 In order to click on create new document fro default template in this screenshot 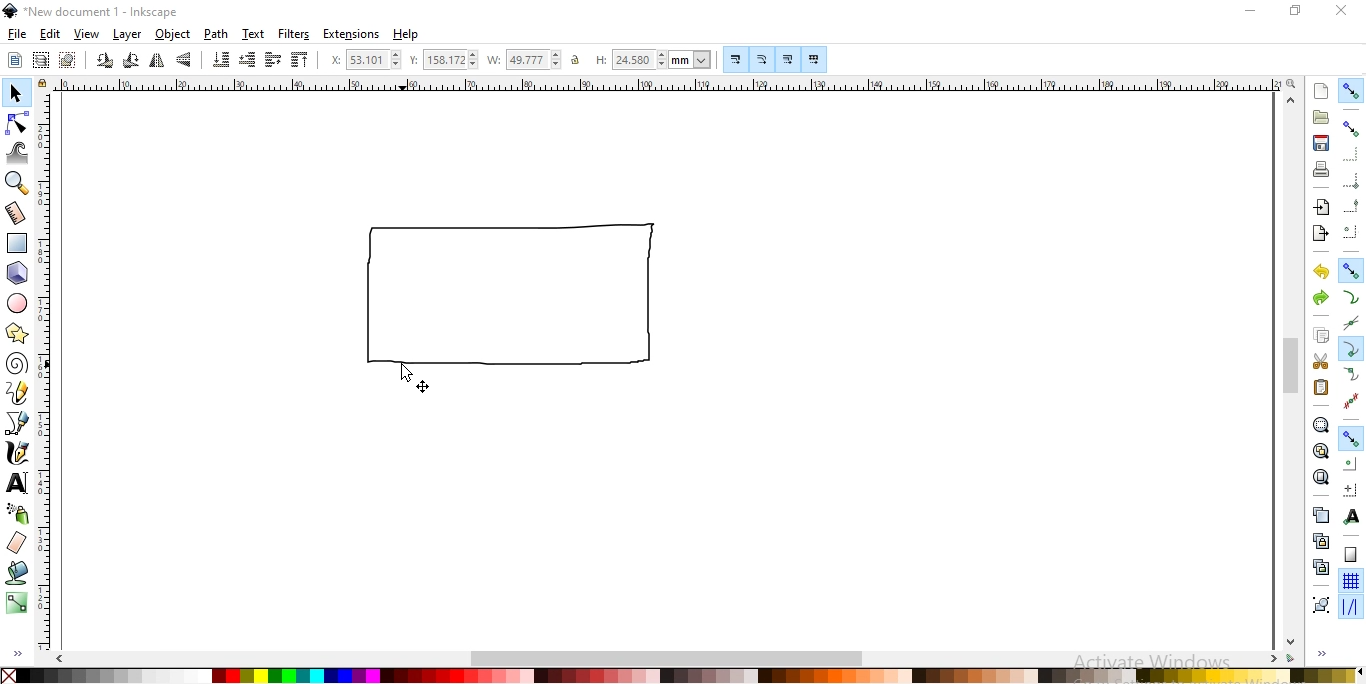, I will do `click(1320, 92)`.